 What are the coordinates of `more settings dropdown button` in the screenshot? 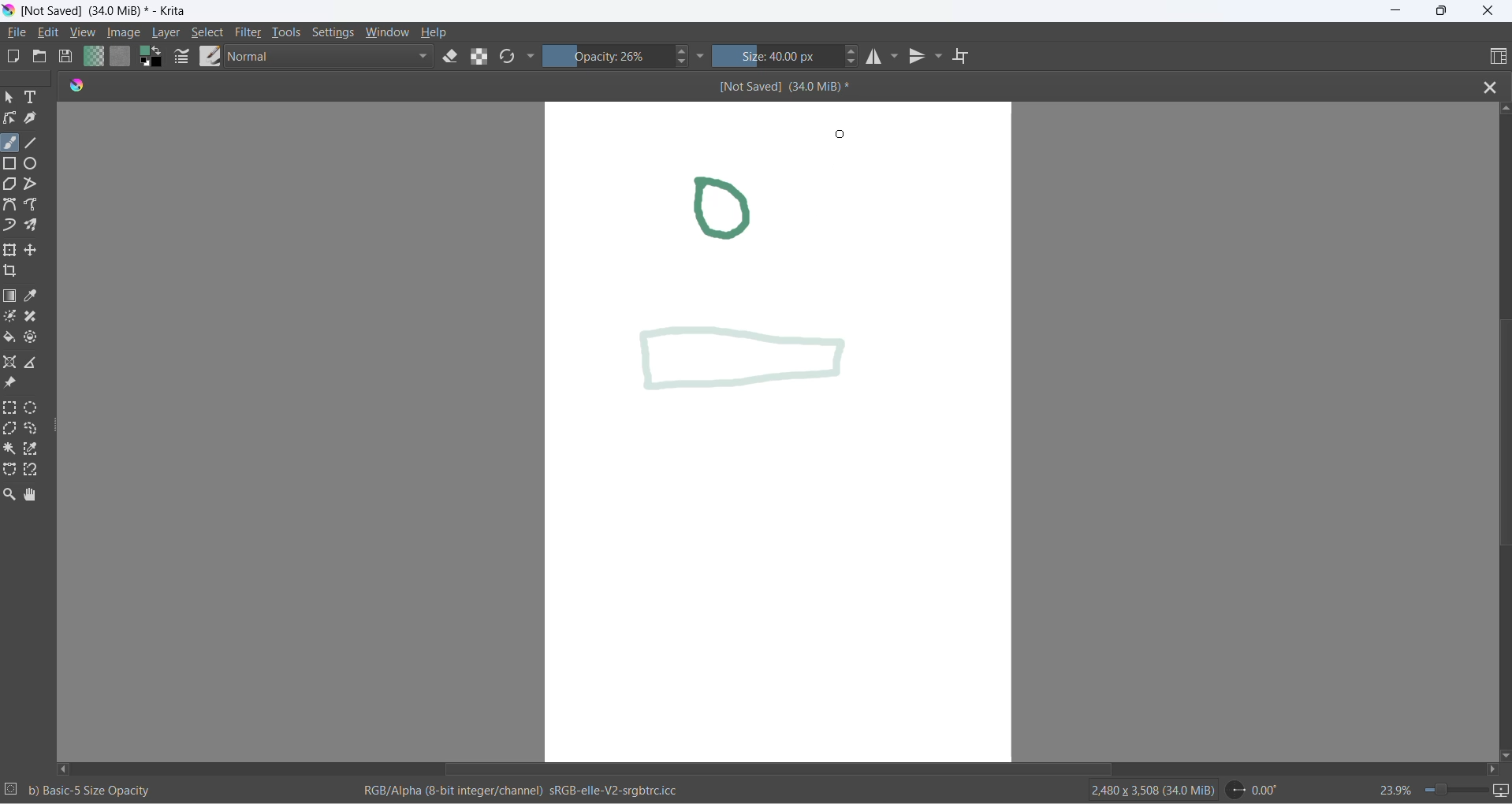 It's located at (701, 55).